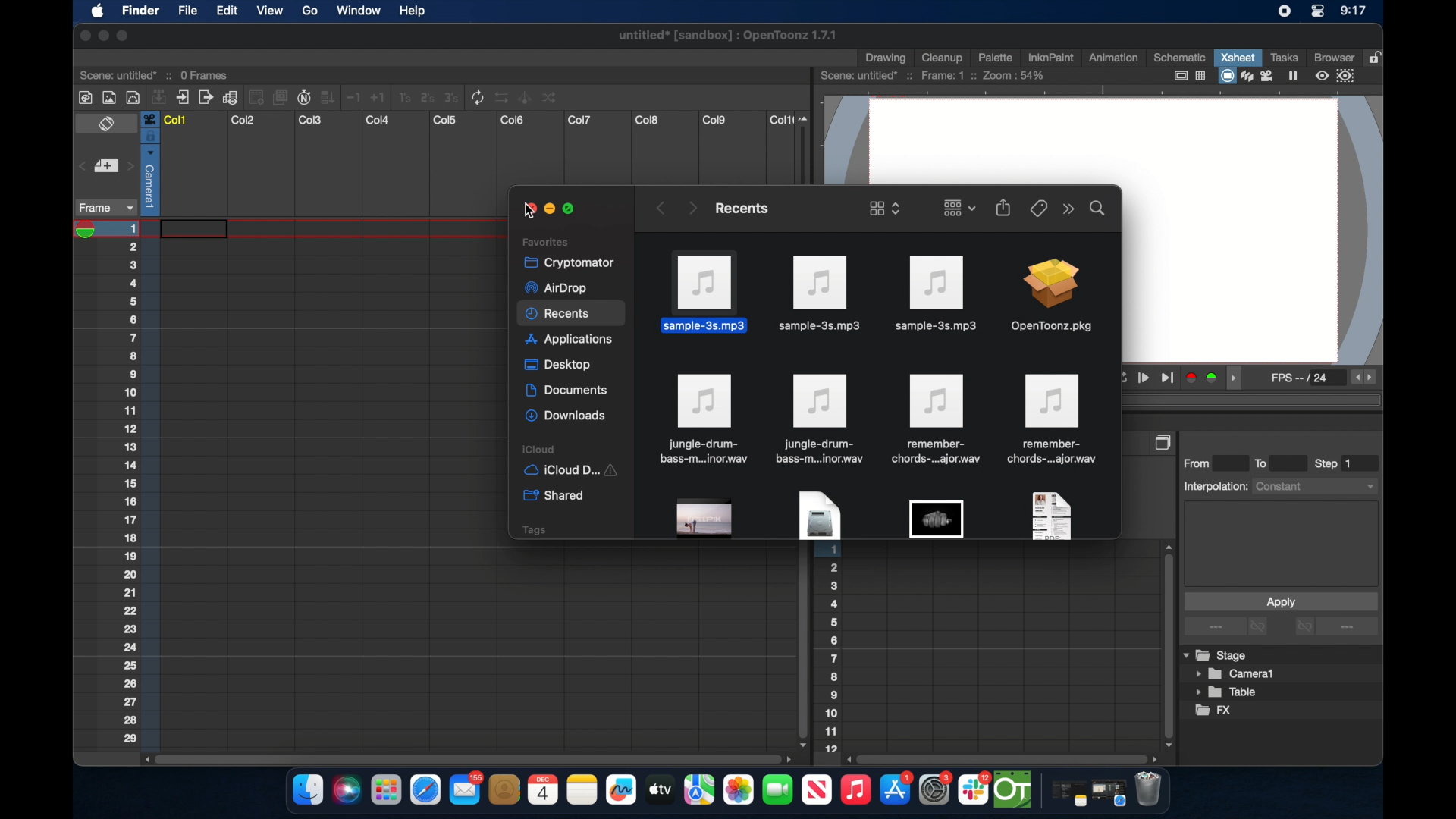 The width and height of the screenshot is (1456, 819). Describe the element at coordinates (412, 11) in the screenshot. I see `help` at that location.